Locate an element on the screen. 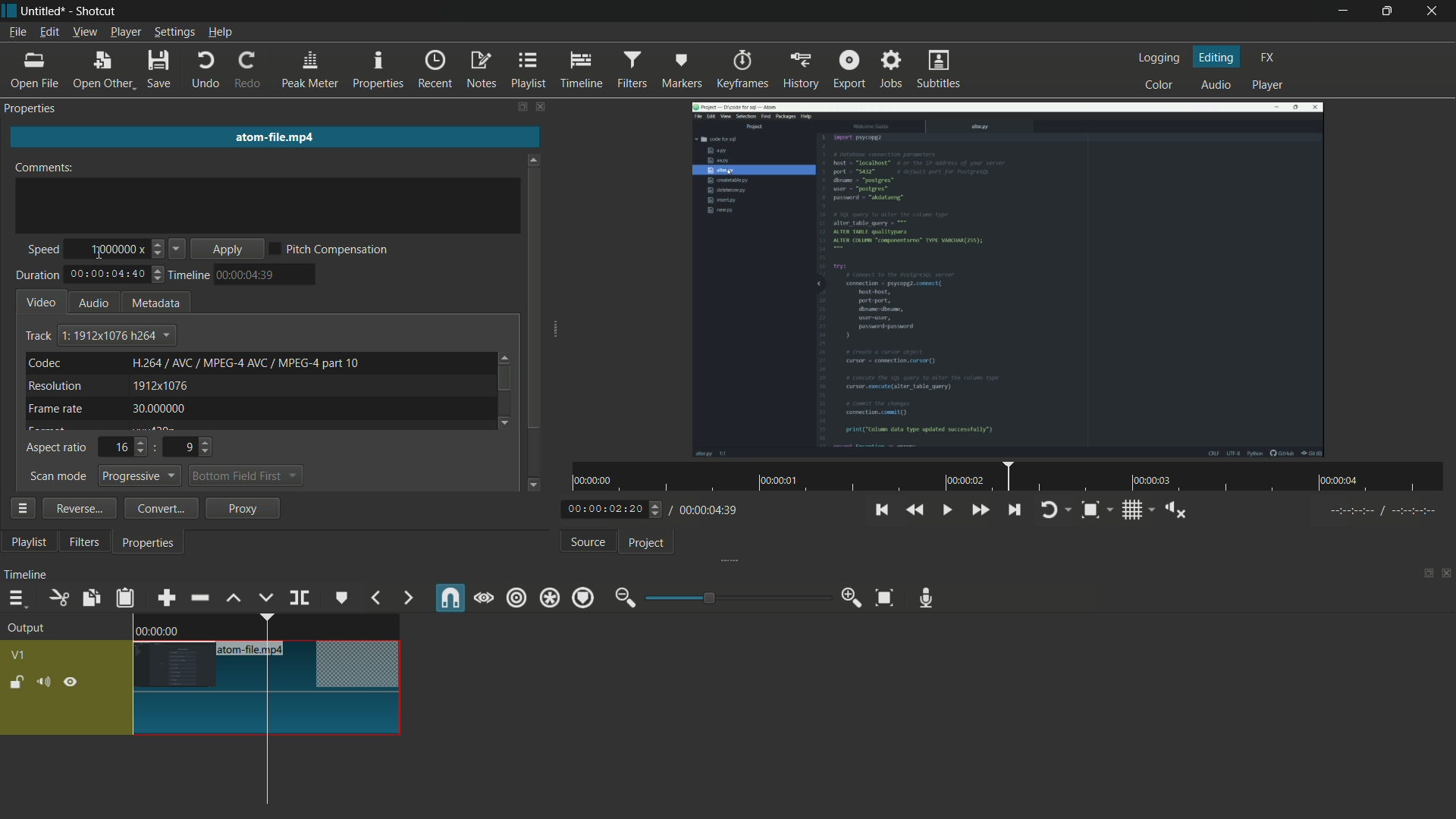 Image resolution: width=1456 pixels, height=819 pixels. player menu is located at coordinates (125, 32).